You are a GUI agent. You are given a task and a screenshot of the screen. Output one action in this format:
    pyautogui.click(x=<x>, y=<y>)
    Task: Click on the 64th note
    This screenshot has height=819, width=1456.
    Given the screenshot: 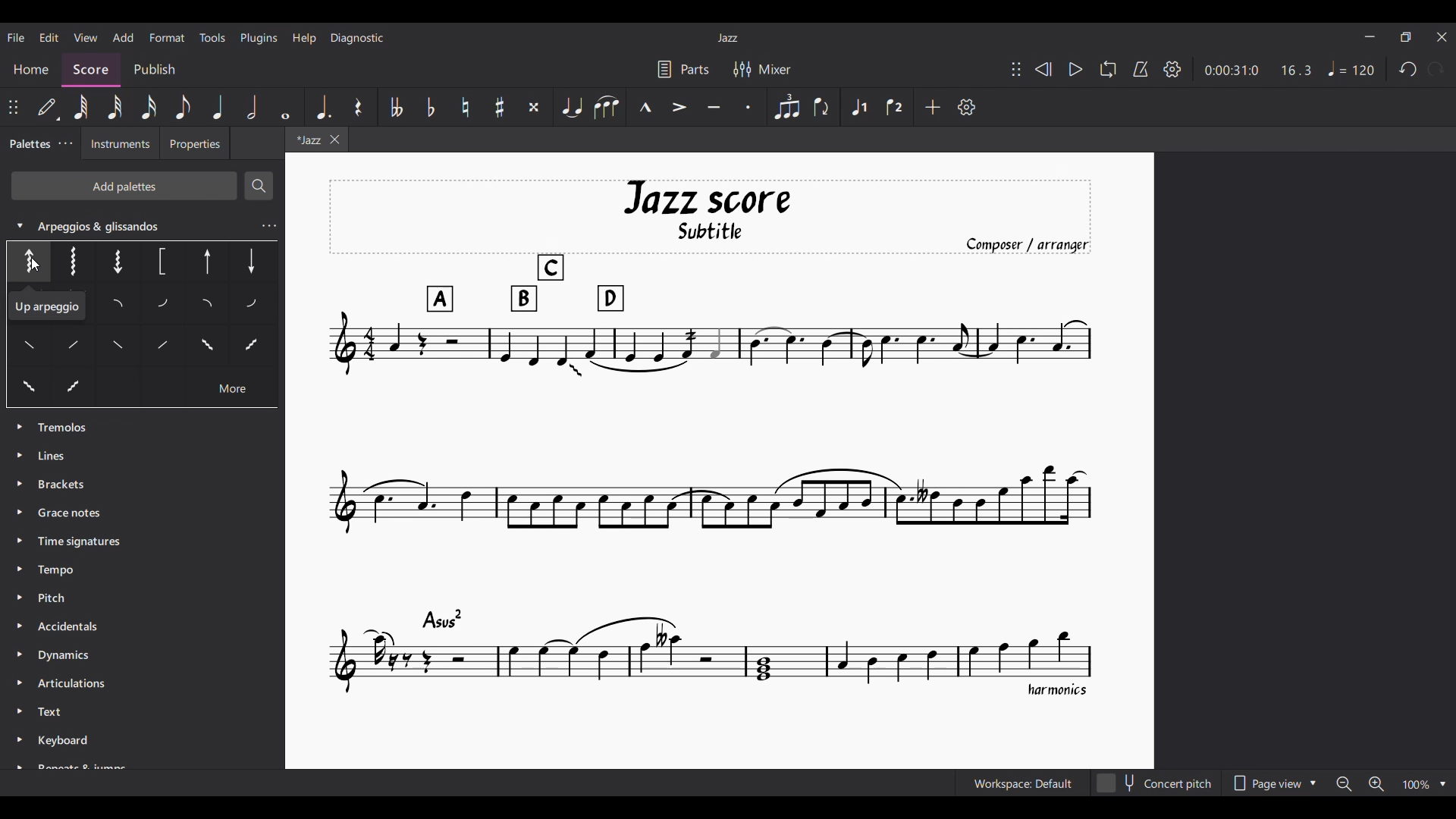 What is the action you would take?
    pyautogui.click(x=81, y=107)
    